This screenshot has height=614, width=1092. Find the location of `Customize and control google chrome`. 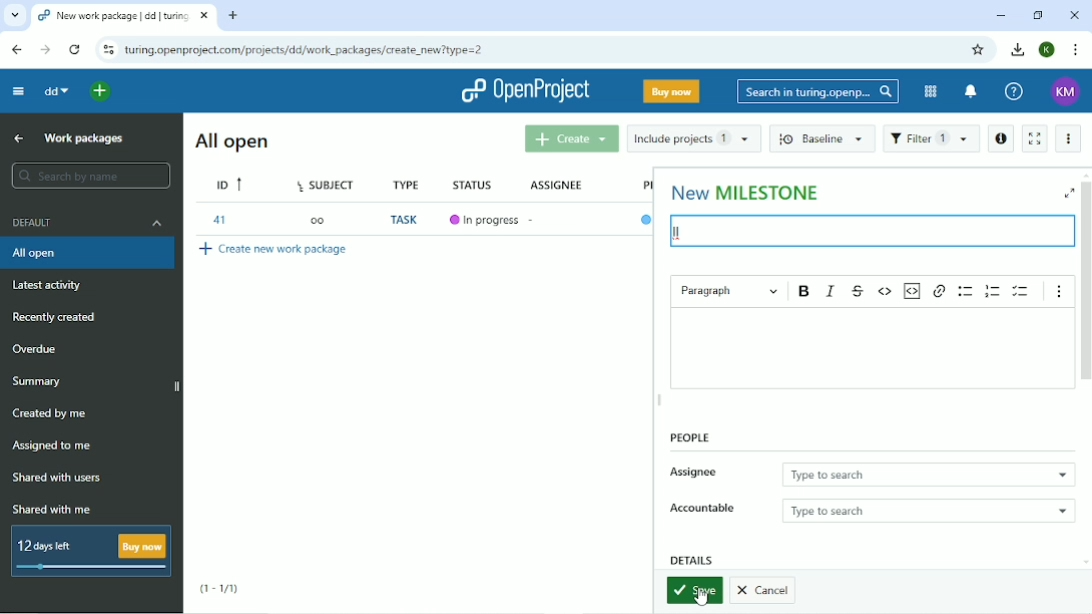

Customize and control google chrome is located at coordinates (1076, 50).